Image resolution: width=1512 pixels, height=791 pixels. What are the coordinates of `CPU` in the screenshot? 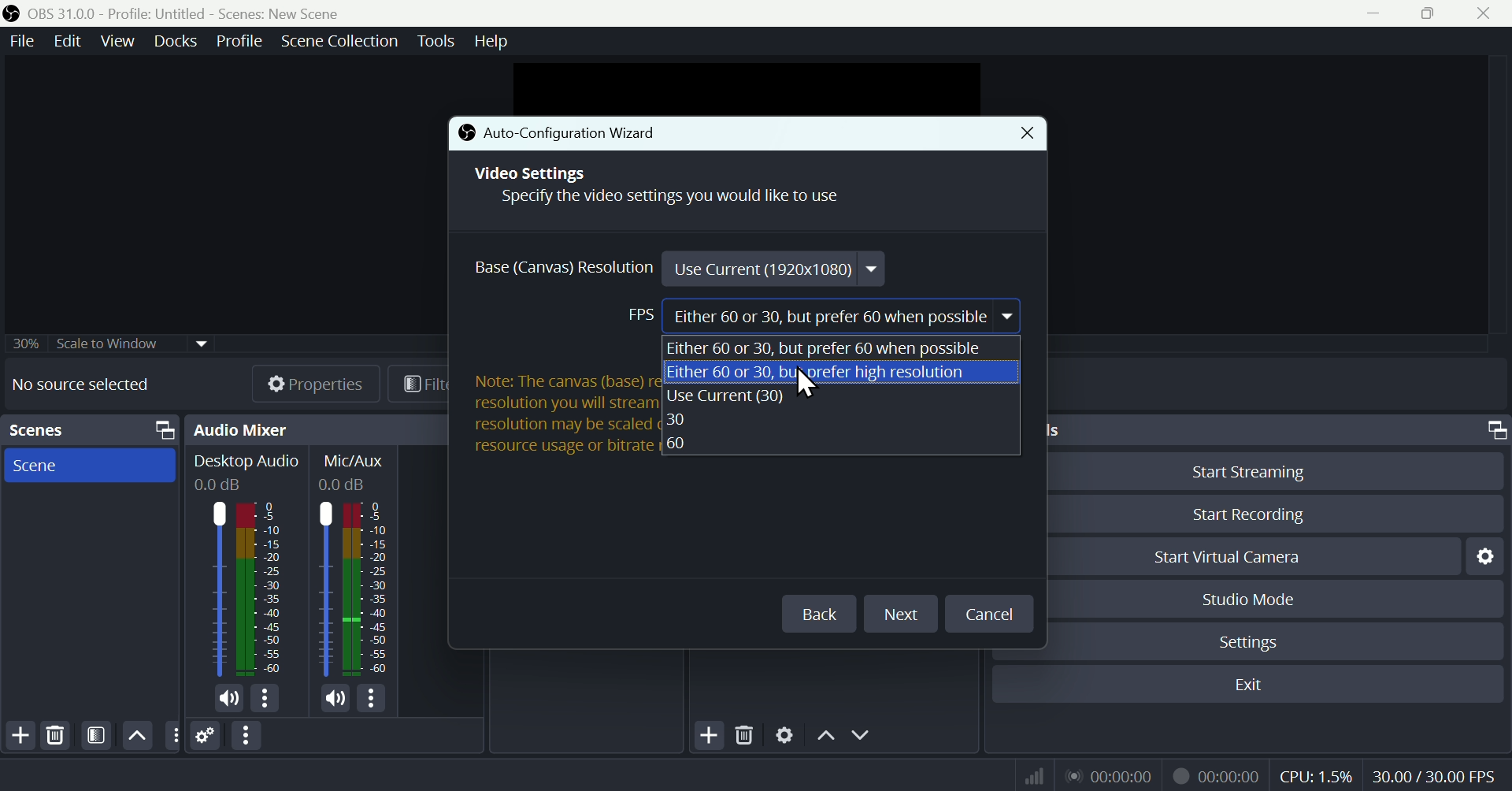 It's located at (1315, 774).